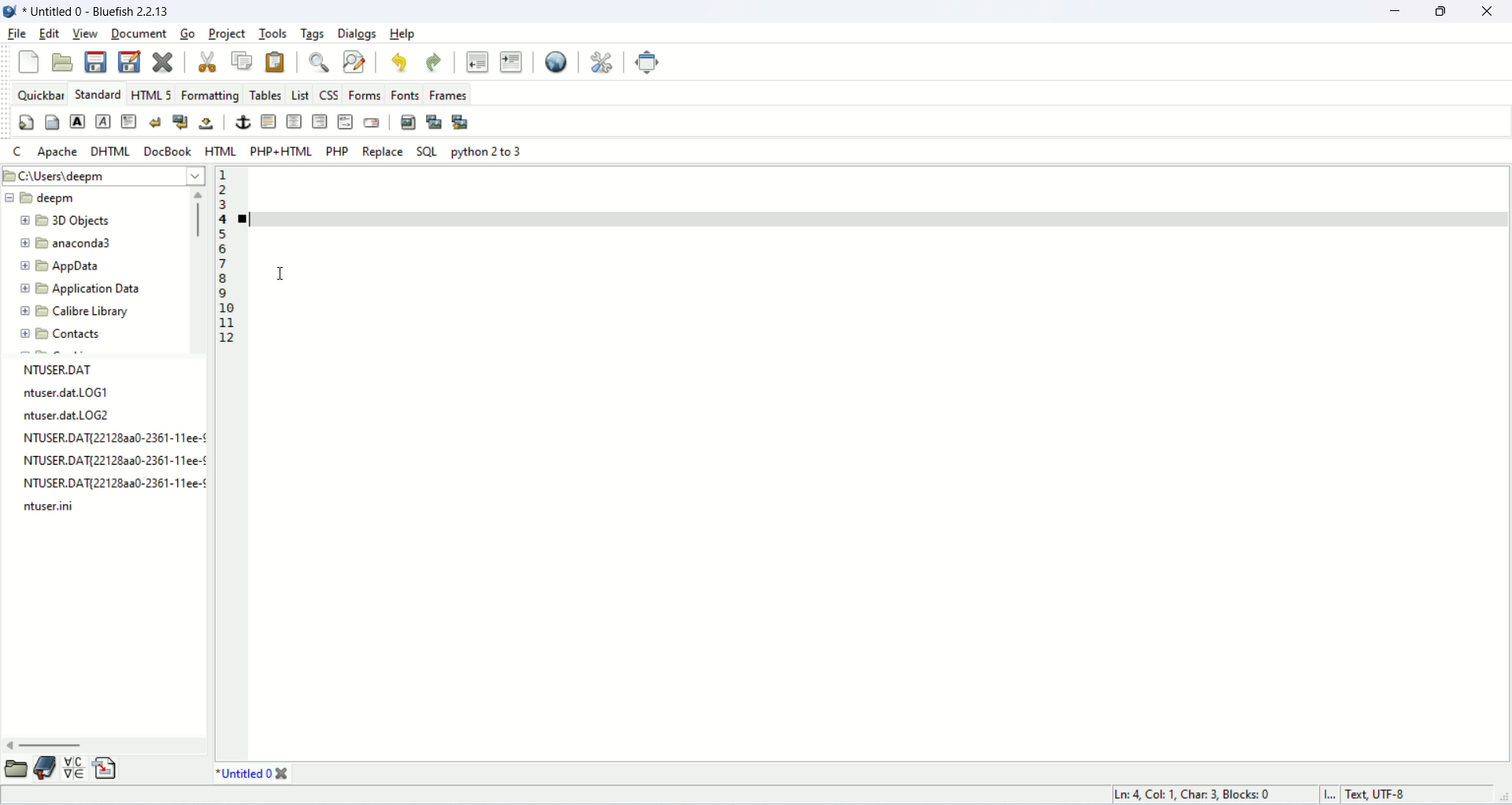  I want to click on line number, so click(223, 256).